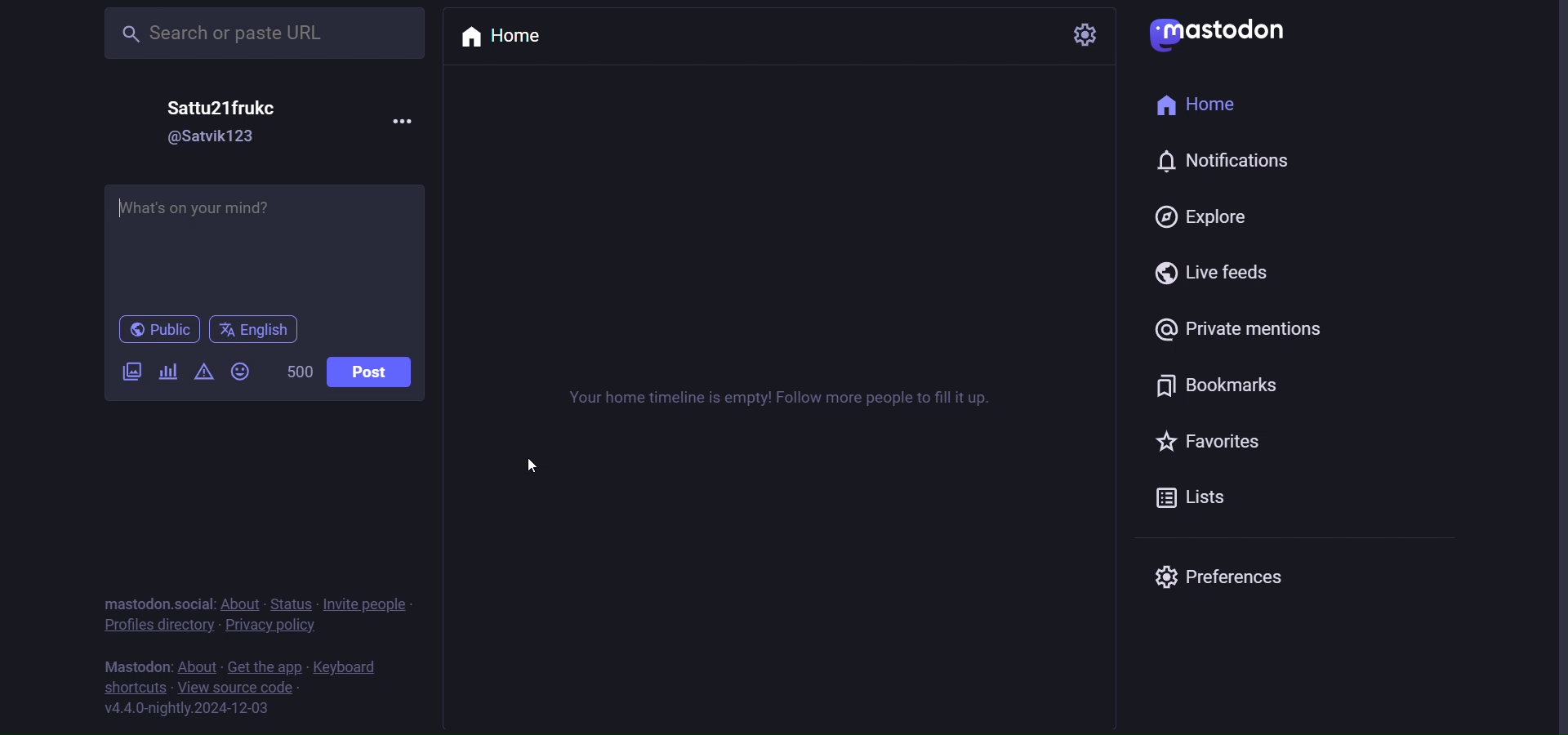 The height and width of the screenshot is (735, 1568). What do you see at coordinates (371, 604) in the screenshot?
I see `invite people` at bounding box center [371, 604].